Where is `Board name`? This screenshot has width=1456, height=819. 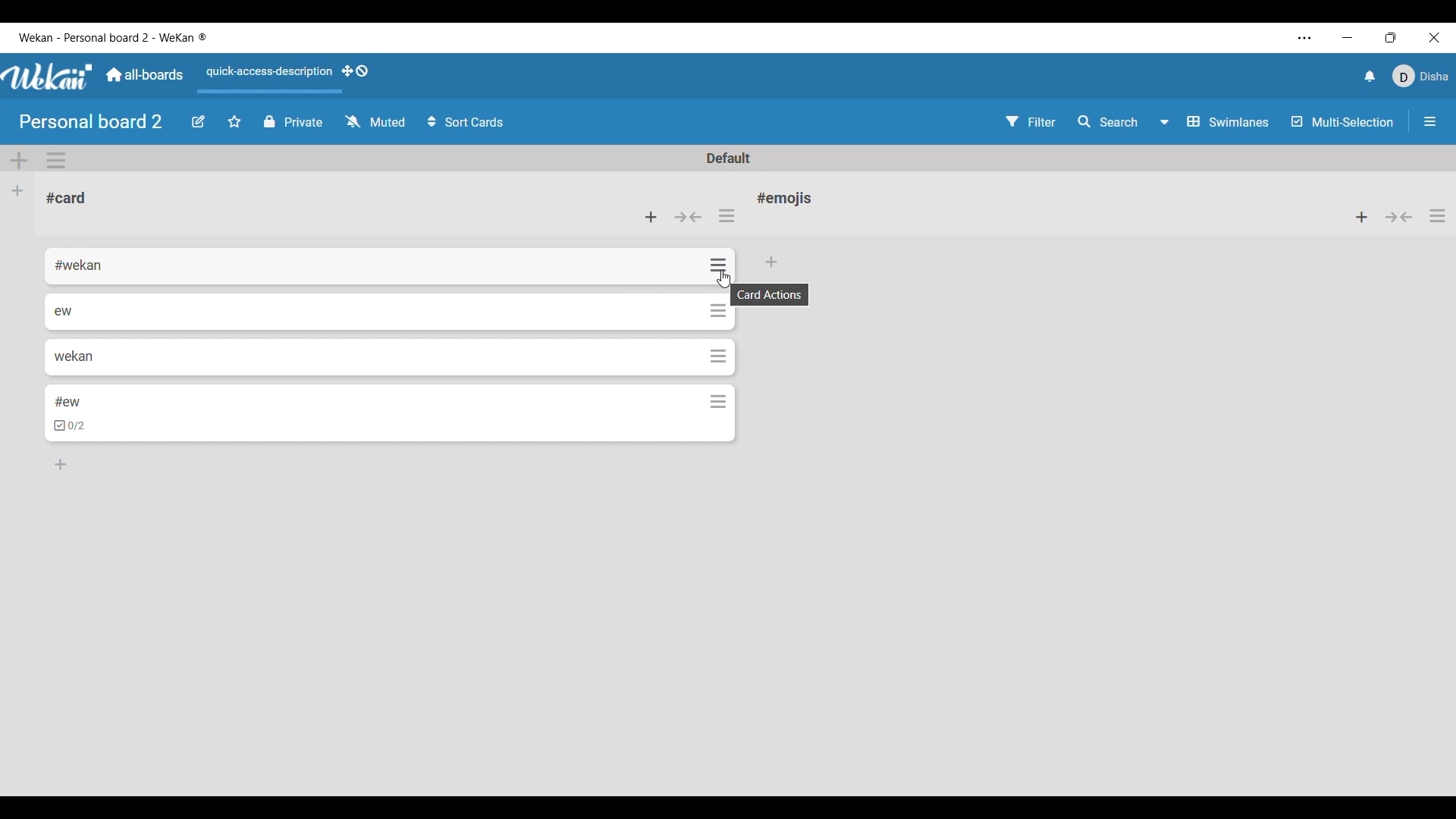 Board name is located at coordinates (90, 121).